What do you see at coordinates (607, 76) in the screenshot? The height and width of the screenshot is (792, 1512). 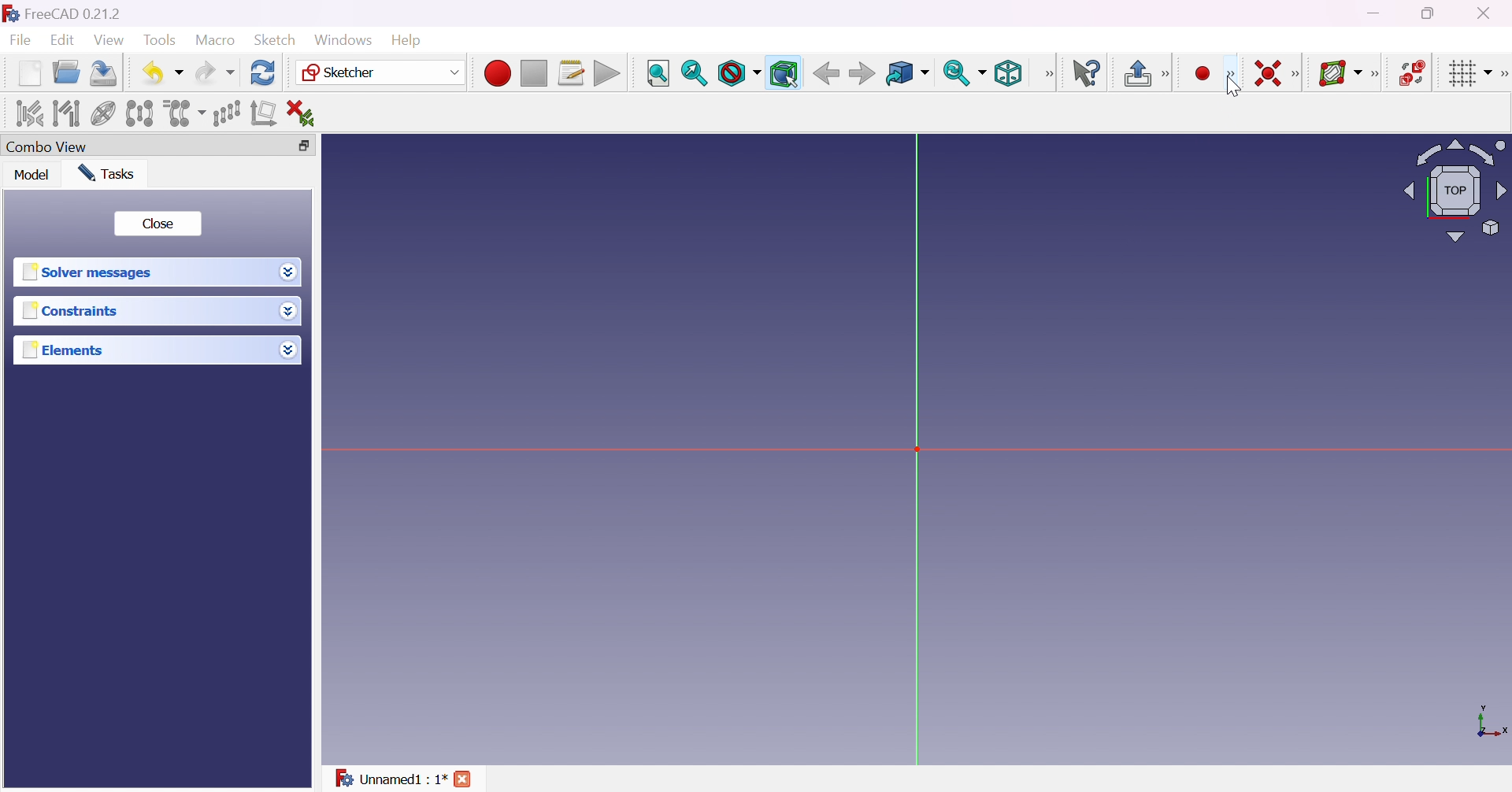 I see `Execute macro` at bounding box center [607, 76].